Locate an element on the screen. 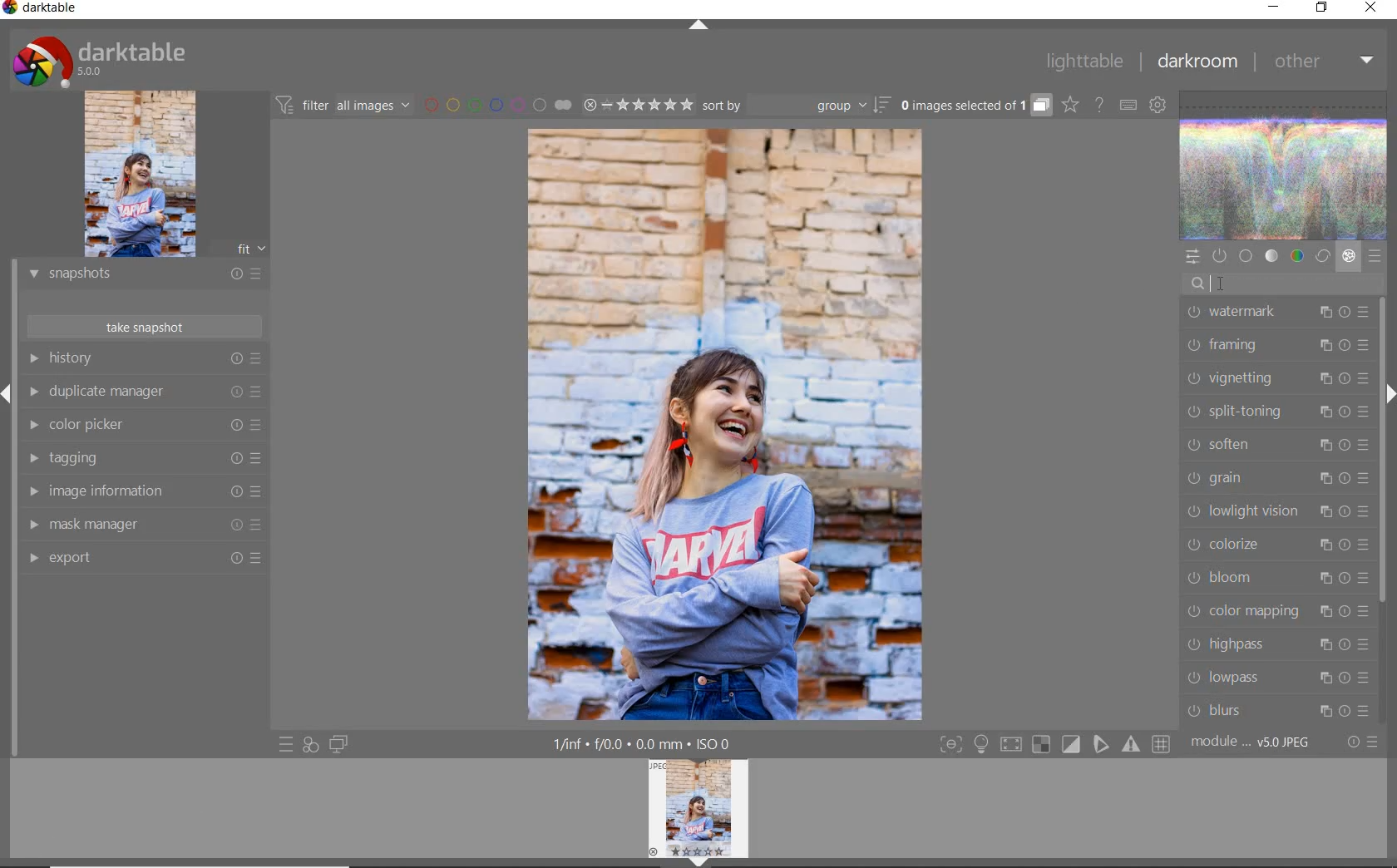  tagging is located at coordinates (144, 460).